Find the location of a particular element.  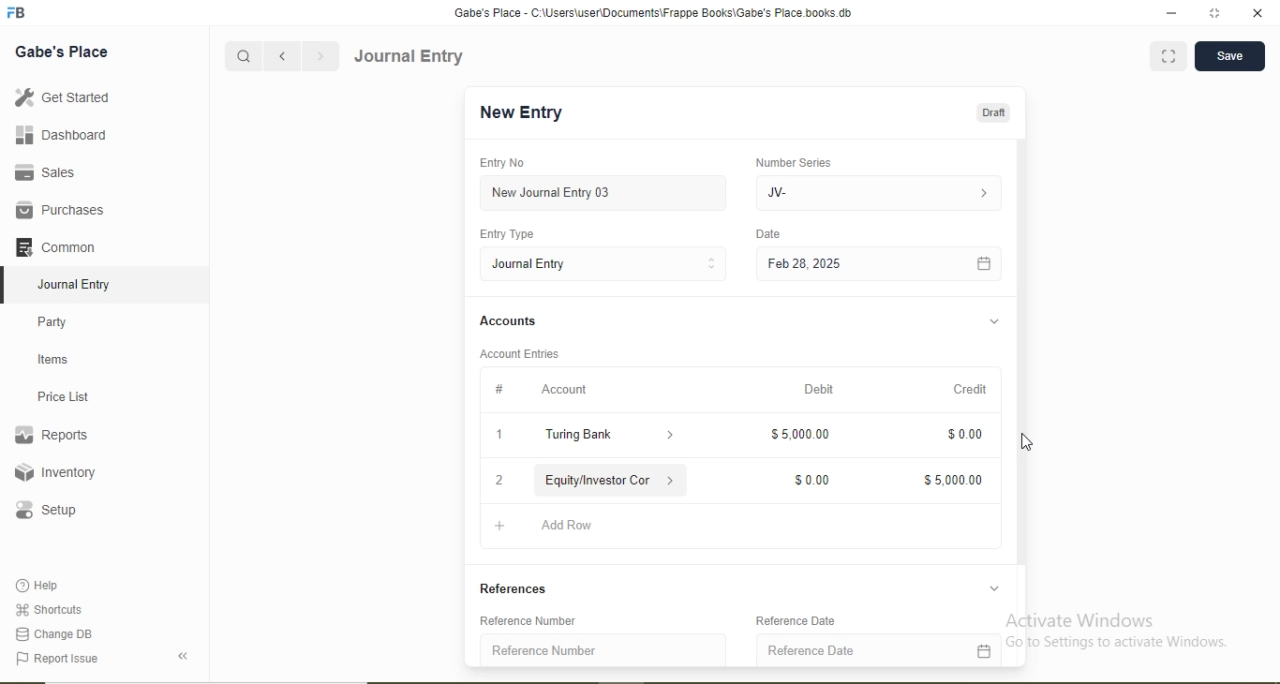

Debit is located at coordinates (819, 389).